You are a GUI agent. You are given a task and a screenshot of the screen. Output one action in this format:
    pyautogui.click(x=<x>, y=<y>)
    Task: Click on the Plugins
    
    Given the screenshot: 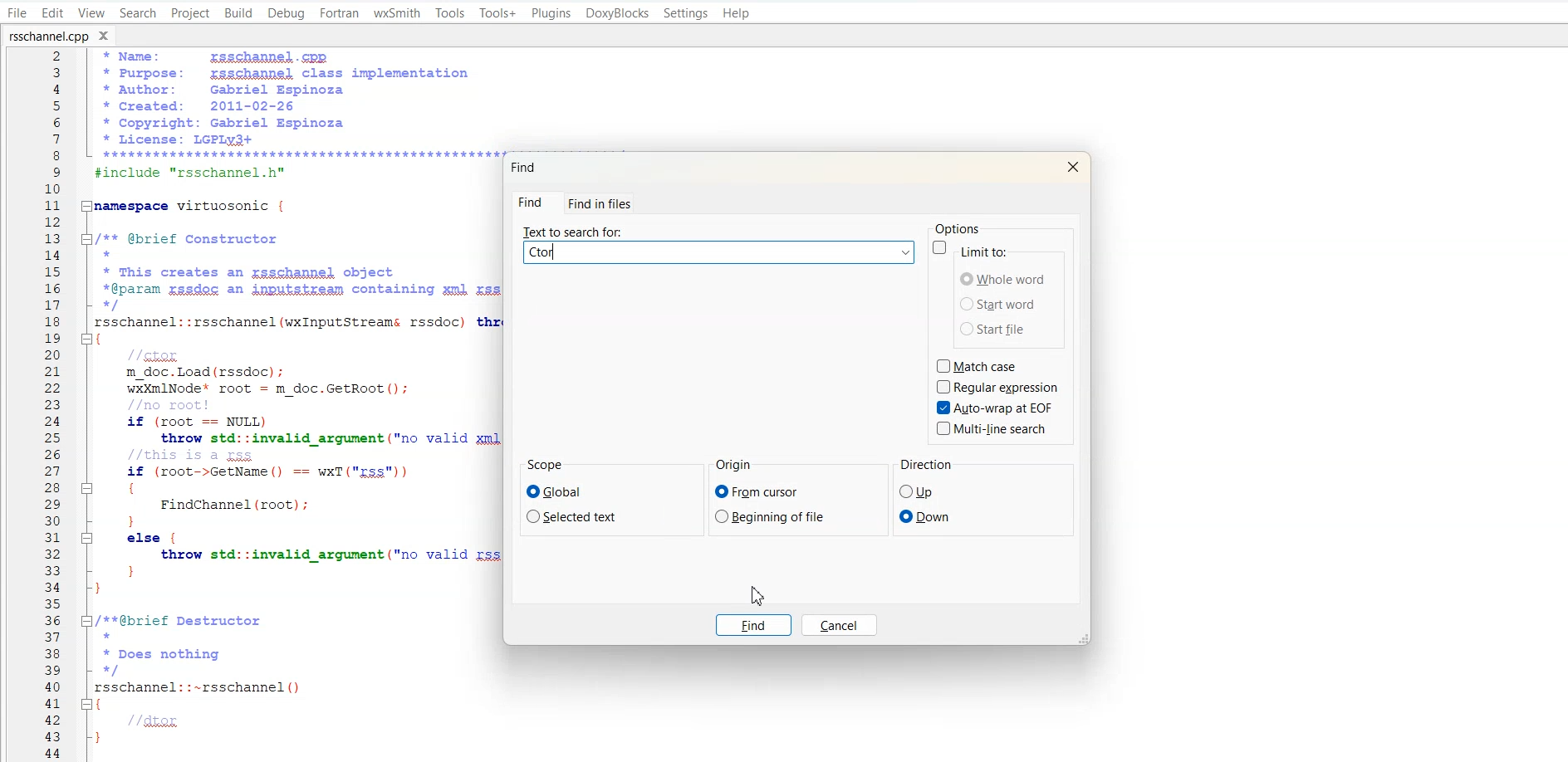 What is the action you would take?
    pyautogui.click(x=551, y=12)
    